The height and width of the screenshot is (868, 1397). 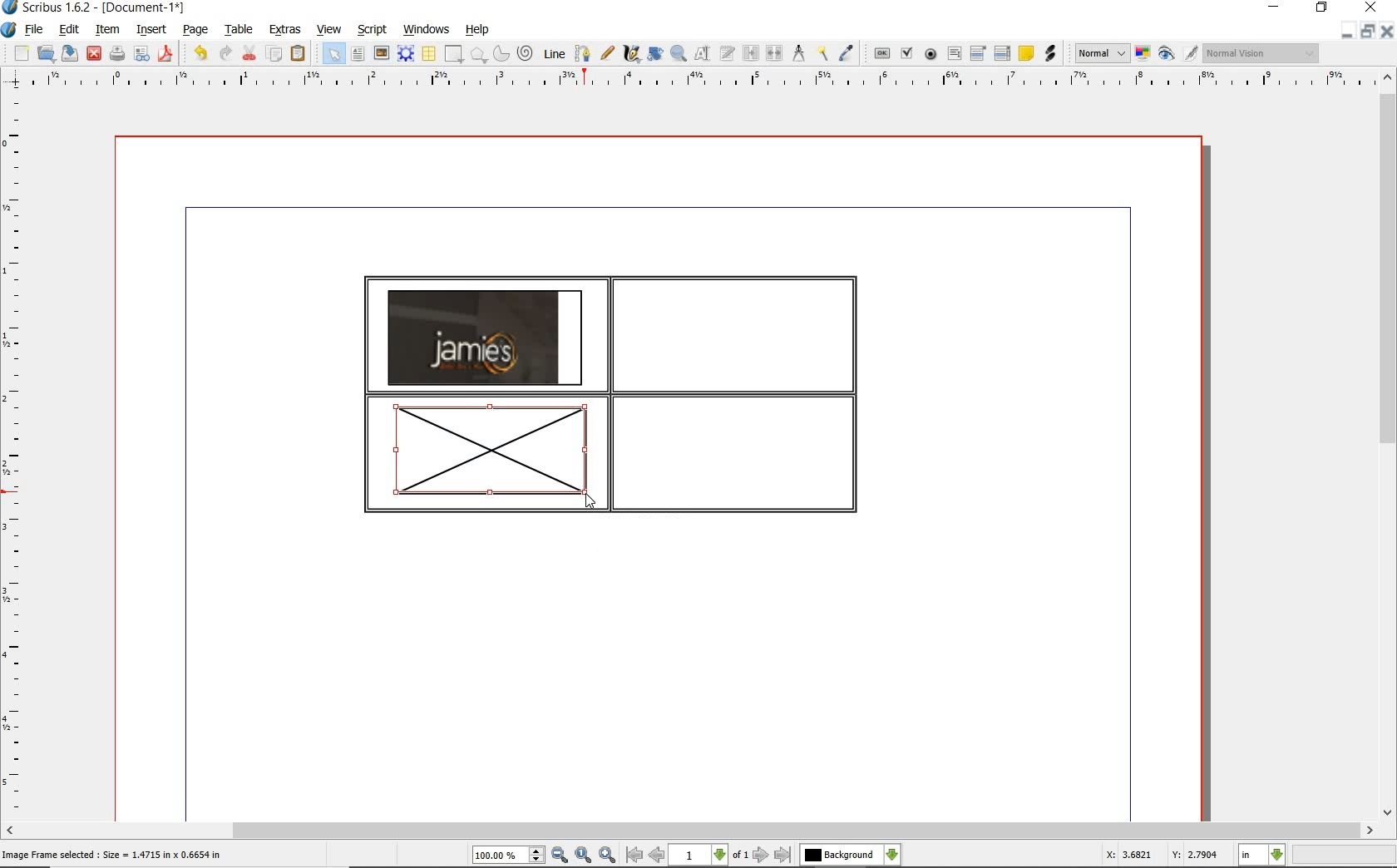 I want to click on pdf radio box, so click(x=931, y=55).